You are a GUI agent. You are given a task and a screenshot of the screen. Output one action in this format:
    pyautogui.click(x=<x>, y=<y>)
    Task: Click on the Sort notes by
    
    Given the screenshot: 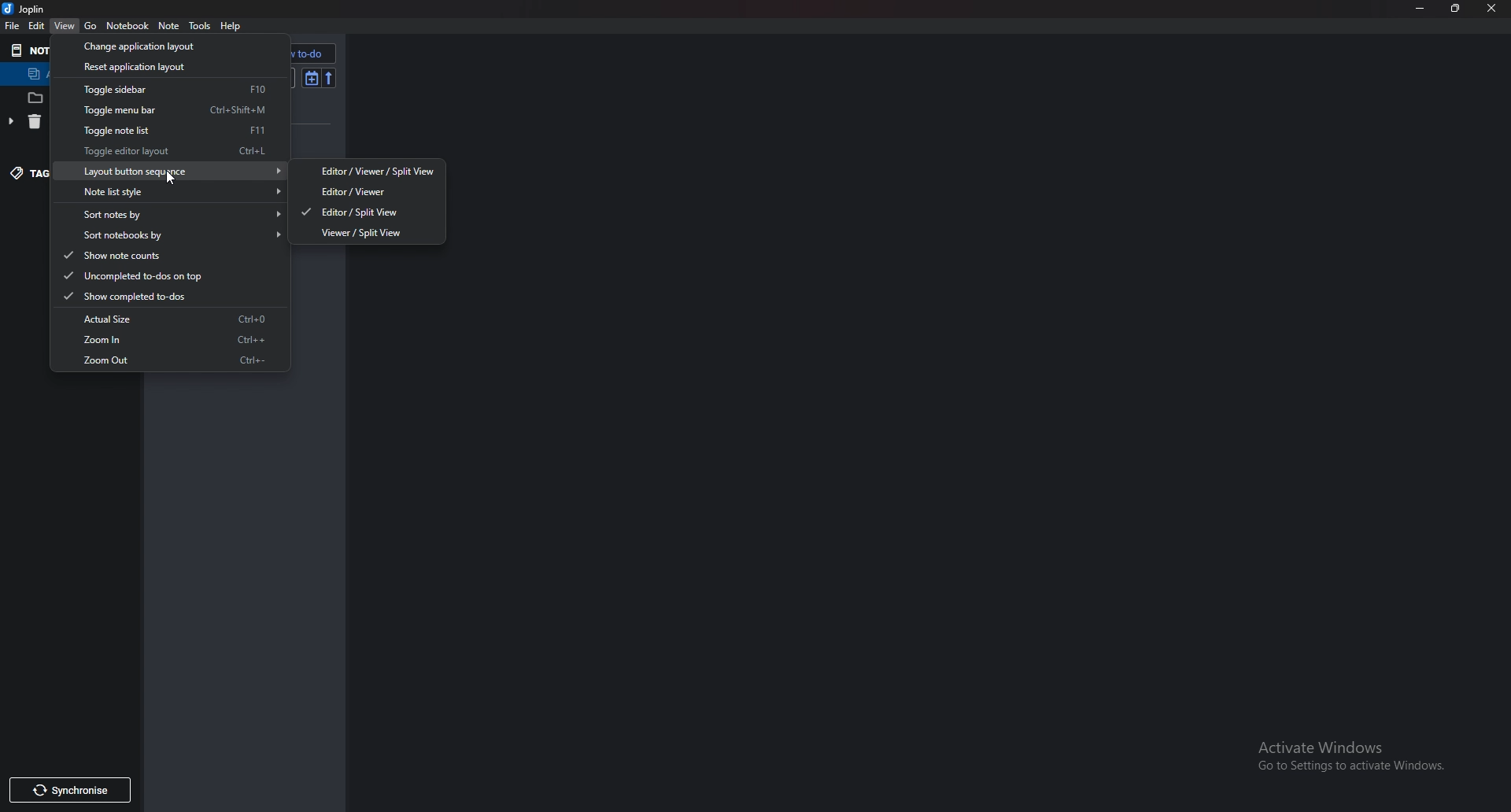 What is the action you would take?
    pyautogui.click(x=175, y=214)
    